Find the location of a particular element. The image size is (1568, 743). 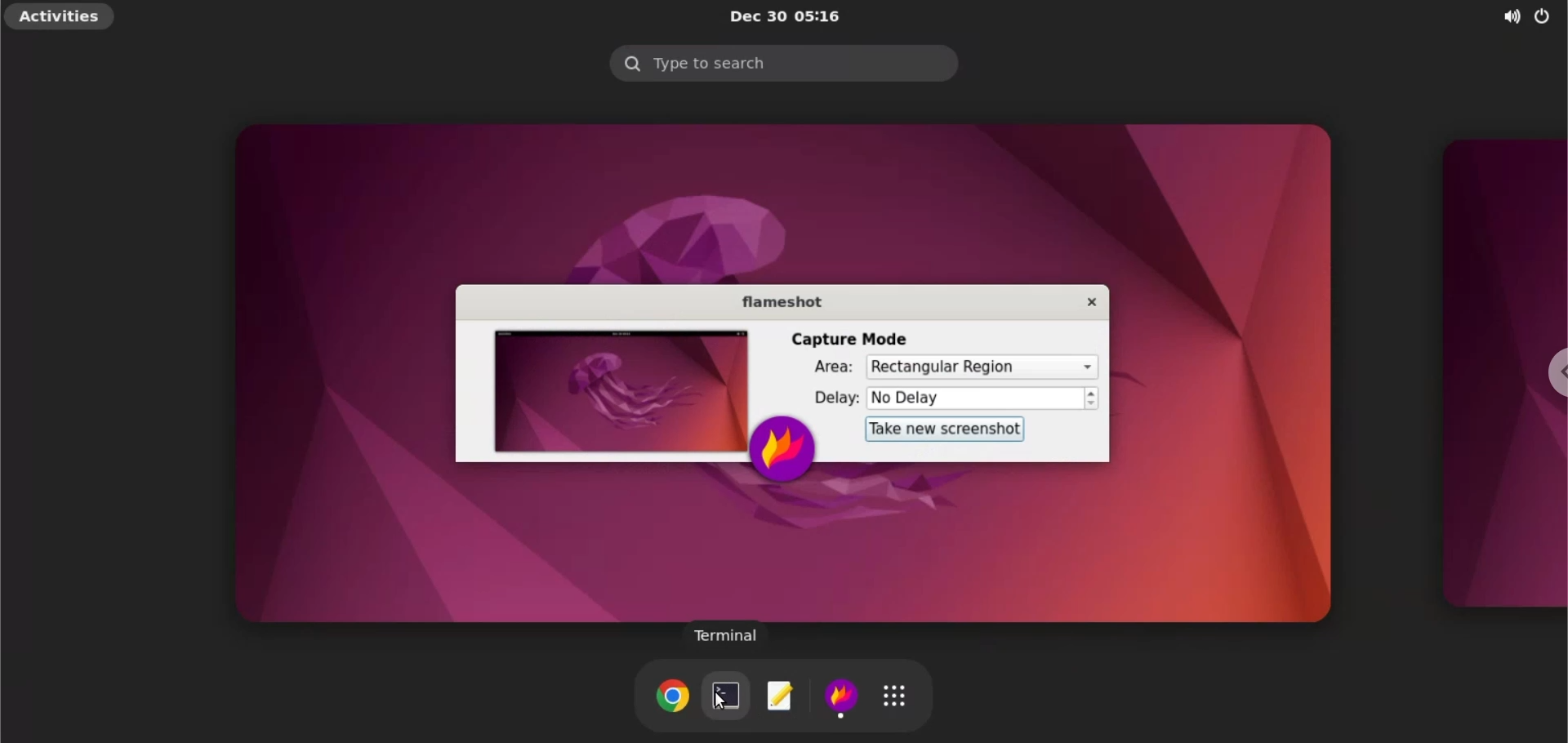

power options is located at coordinates (1545, 19).